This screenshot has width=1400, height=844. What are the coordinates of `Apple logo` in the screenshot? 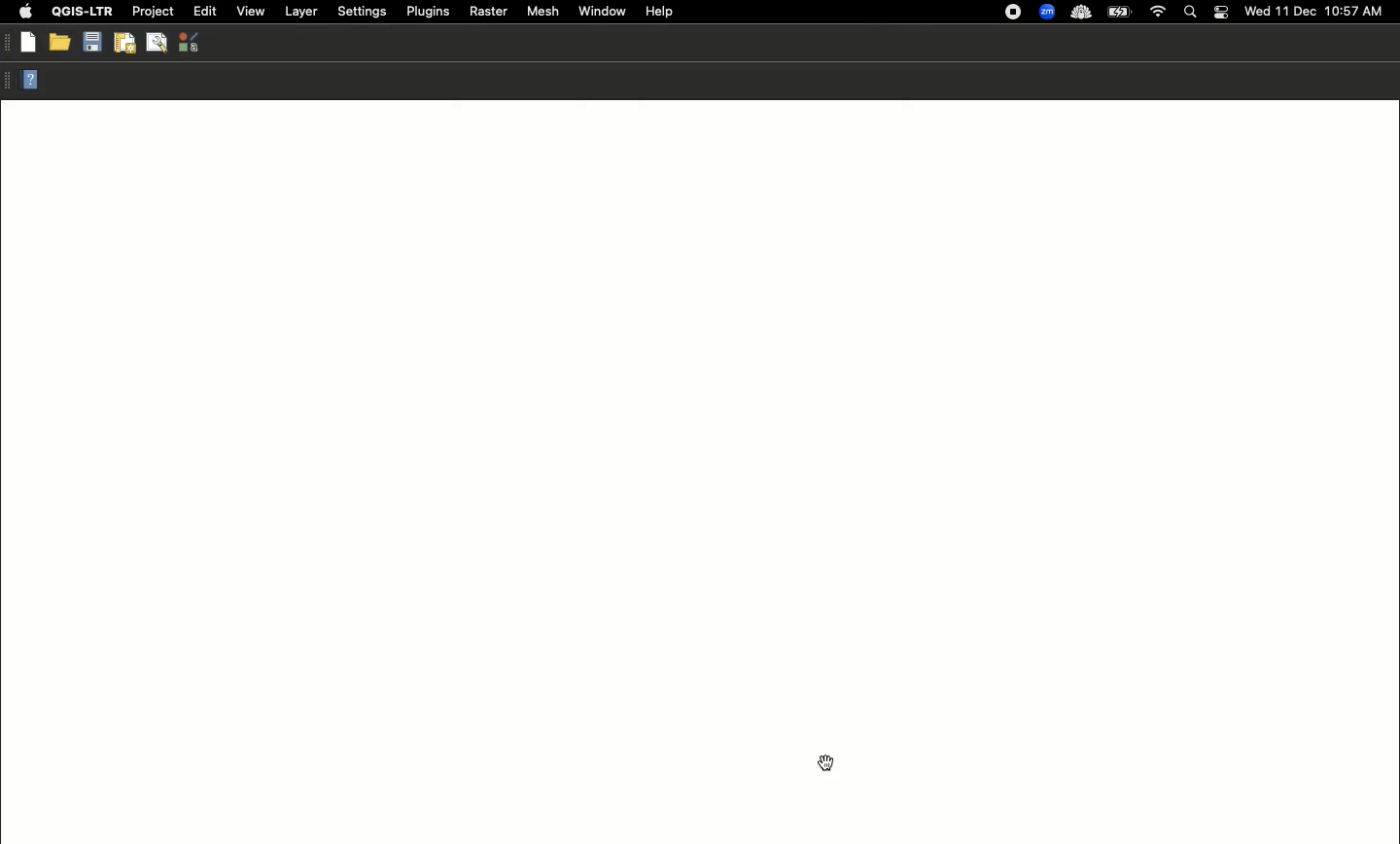 It's located at (25, 13).